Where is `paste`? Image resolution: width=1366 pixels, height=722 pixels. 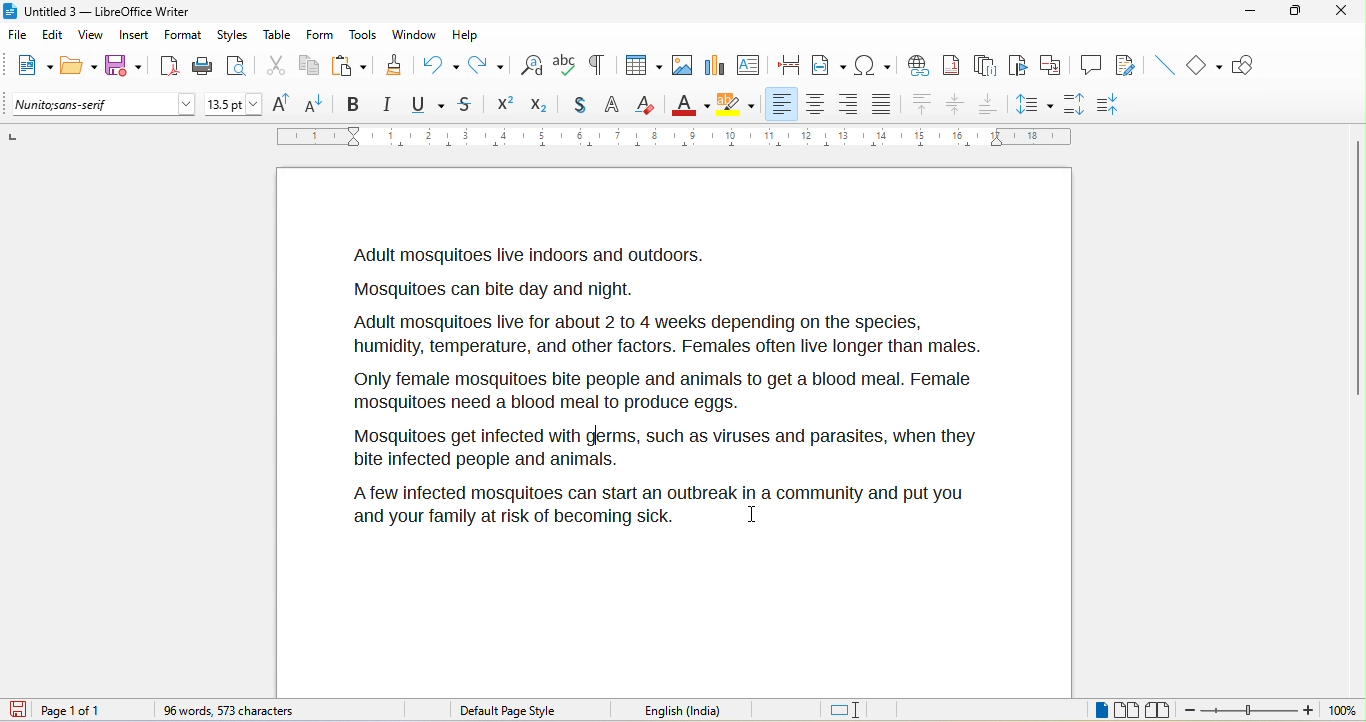
paste is located at coordinates (350, 64).